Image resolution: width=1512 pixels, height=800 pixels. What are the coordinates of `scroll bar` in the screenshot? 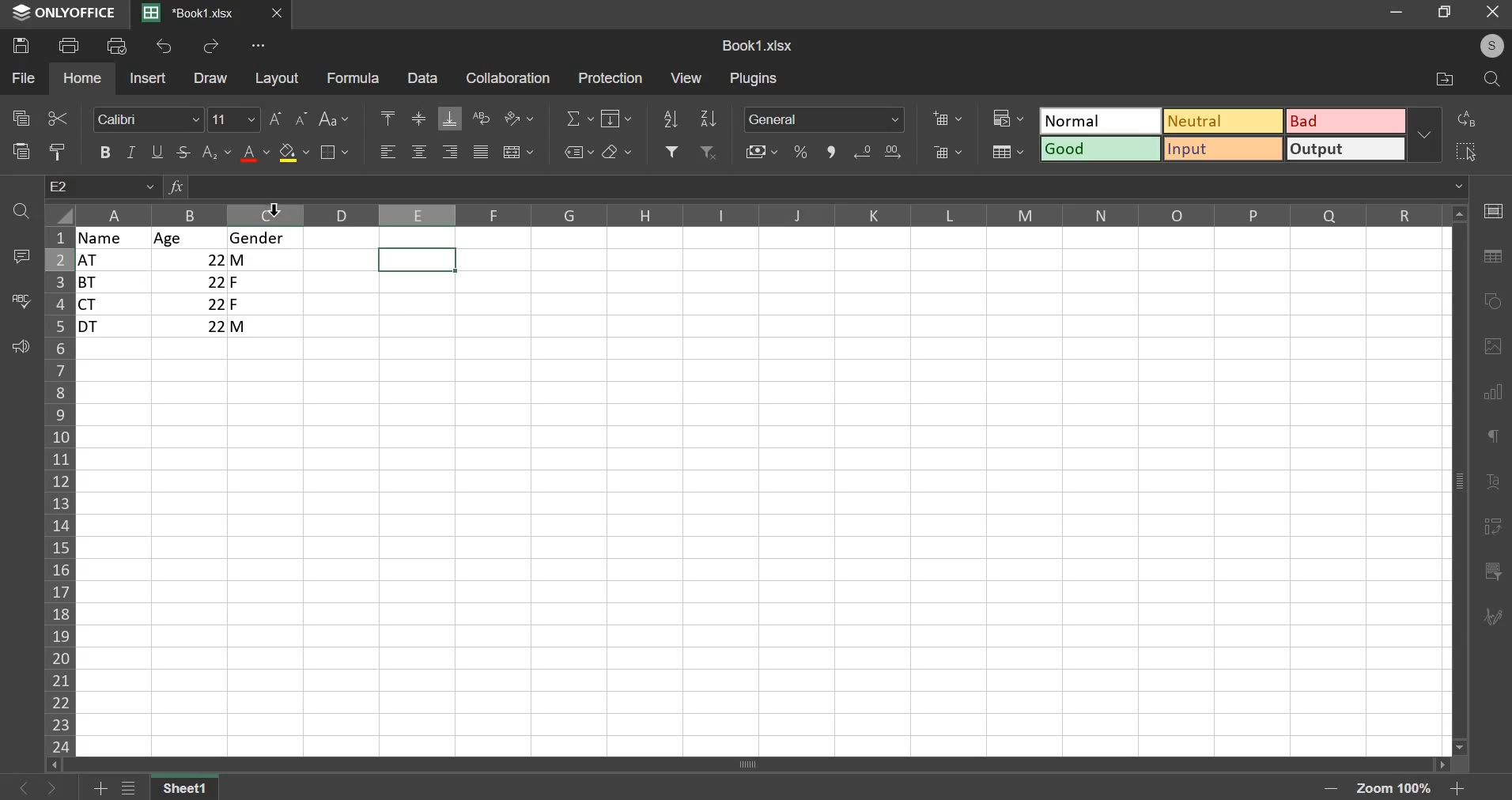 It's located at (1461, 481).